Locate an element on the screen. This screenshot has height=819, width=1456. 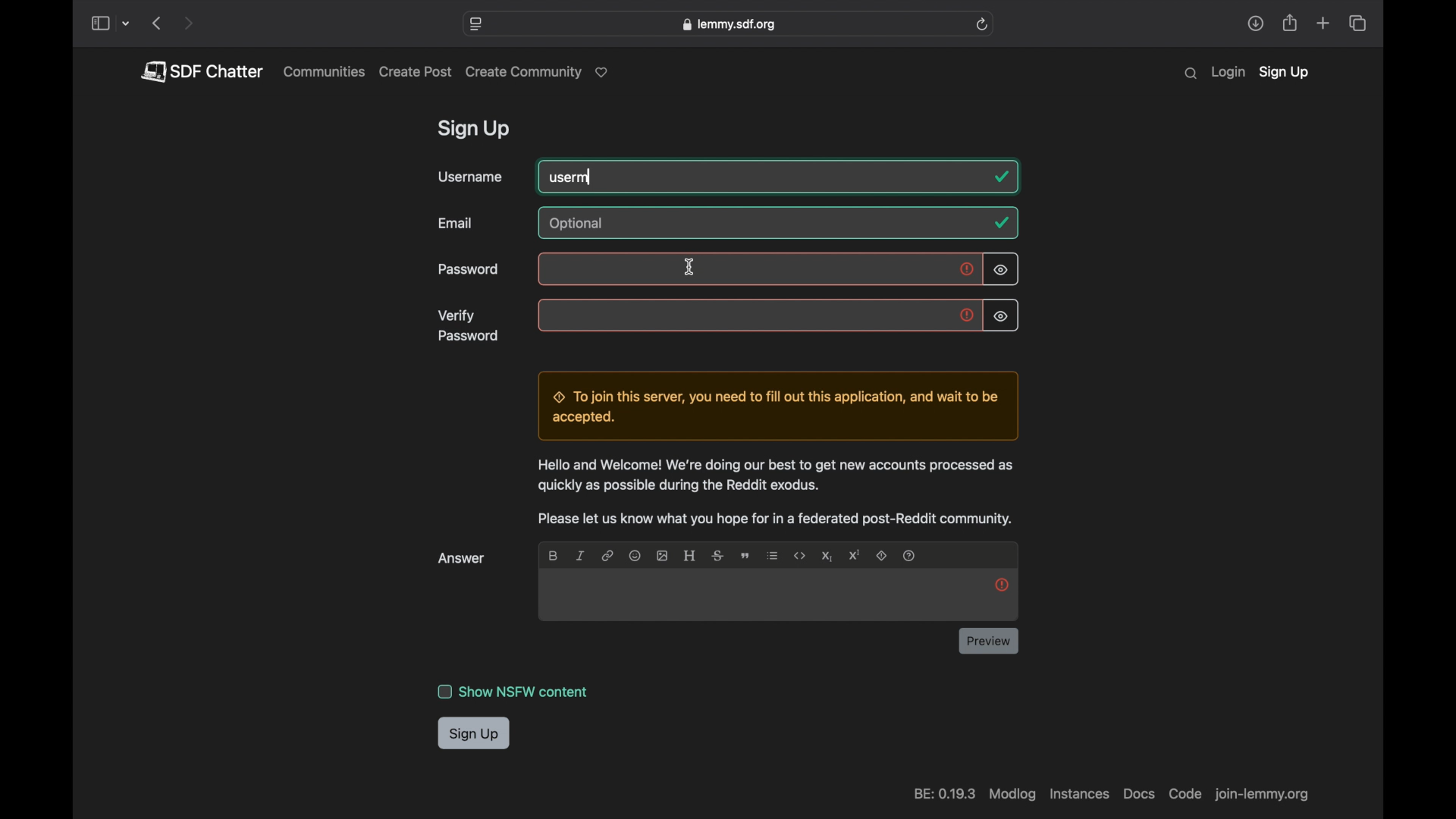
header is located at coordinates (690, 555).